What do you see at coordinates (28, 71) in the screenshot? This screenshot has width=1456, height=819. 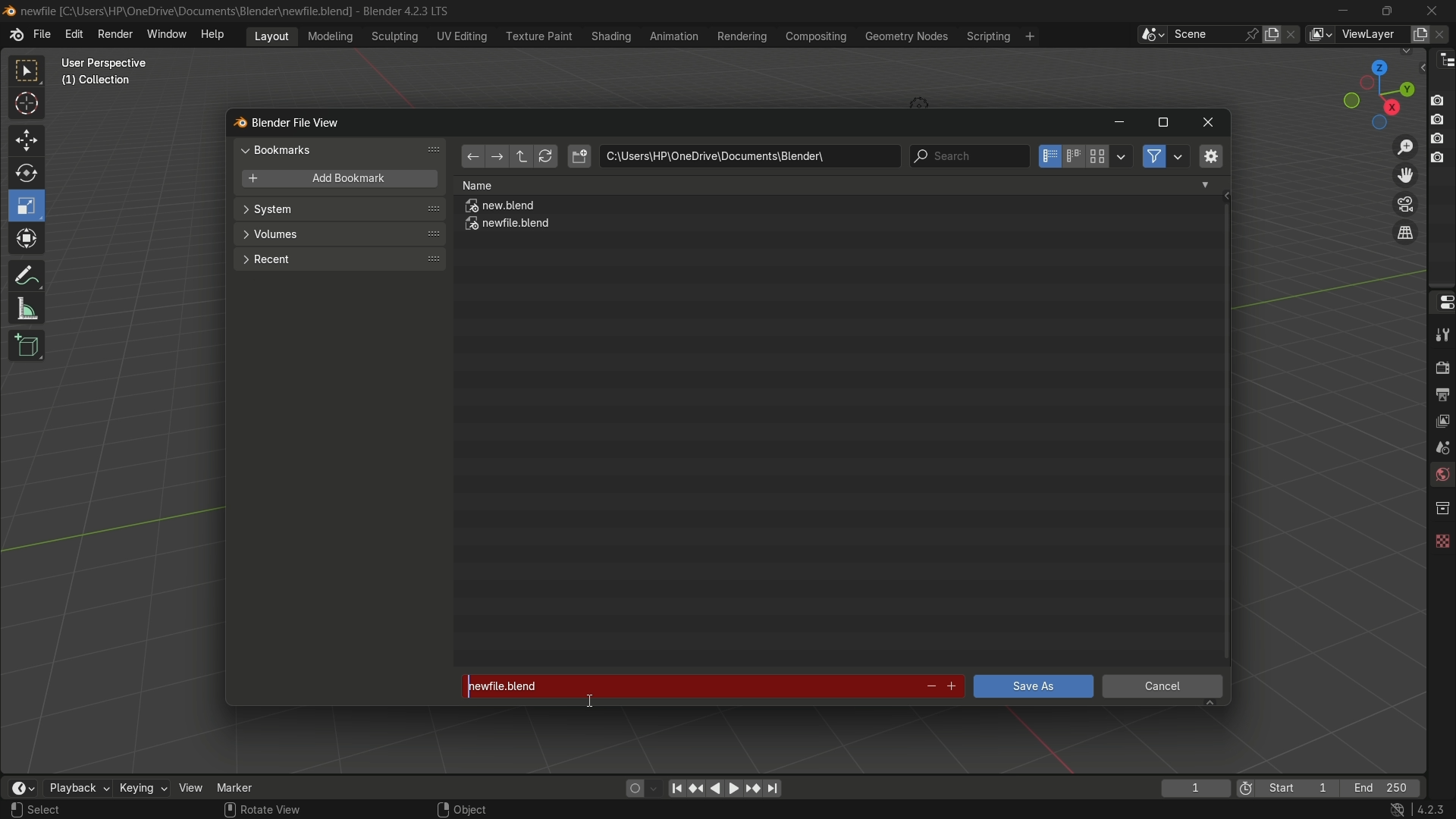 I see `select box` at bounding box center [28, 71].